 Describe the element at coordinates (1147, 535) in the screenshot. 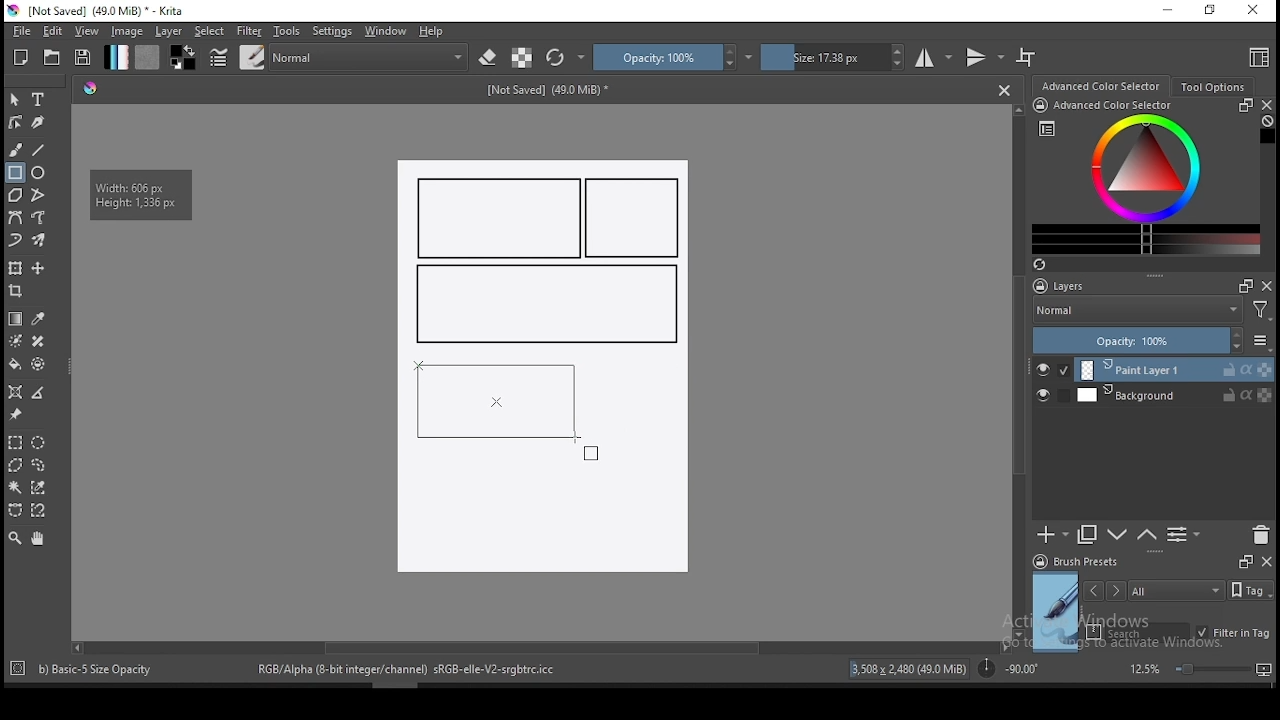

I see `move layer one step down` at that location.